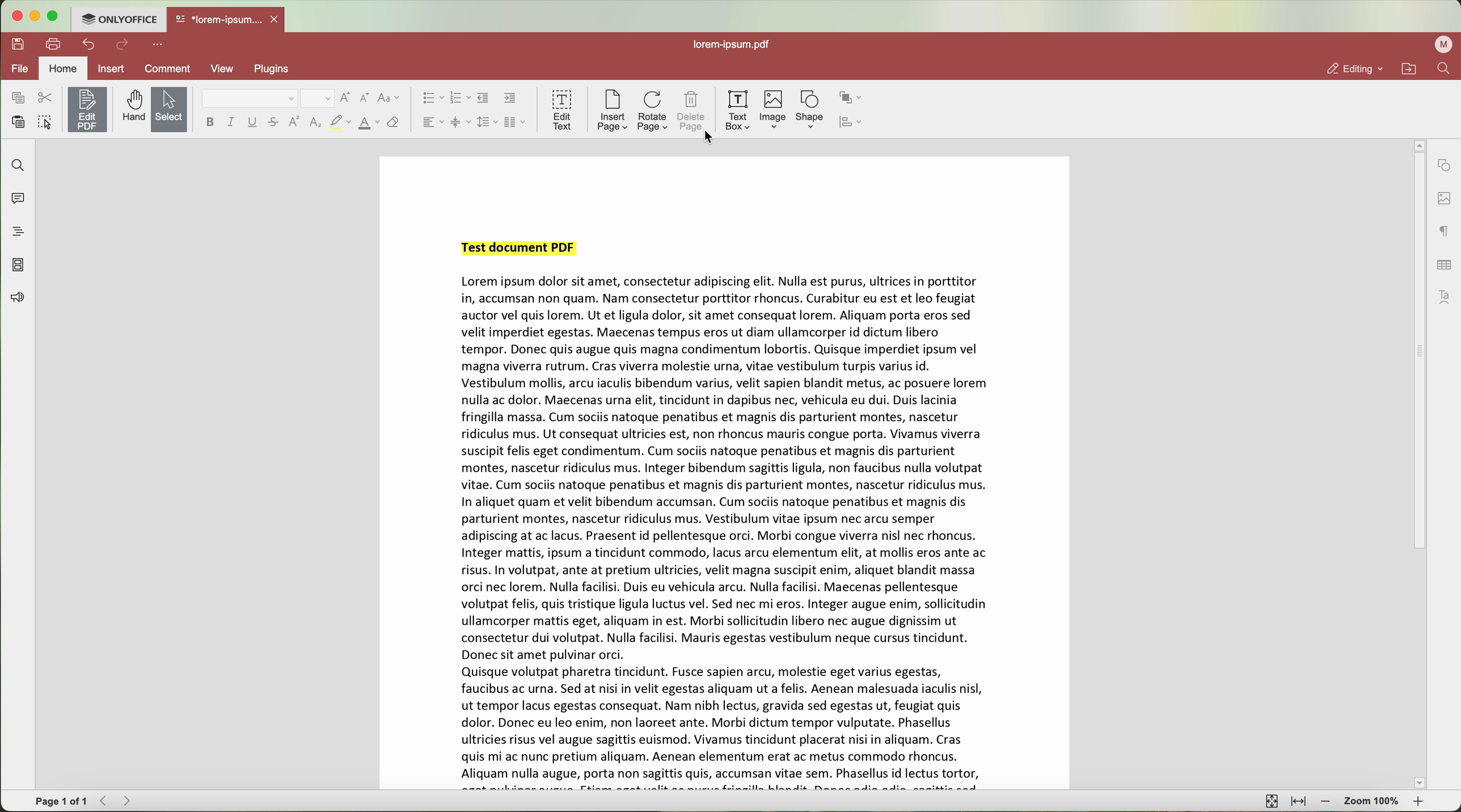 The image size is (1461, 812). What do you see at coordinates (88, 45) in the screenshot?
I see `undo` at bounding box center [88, 45].